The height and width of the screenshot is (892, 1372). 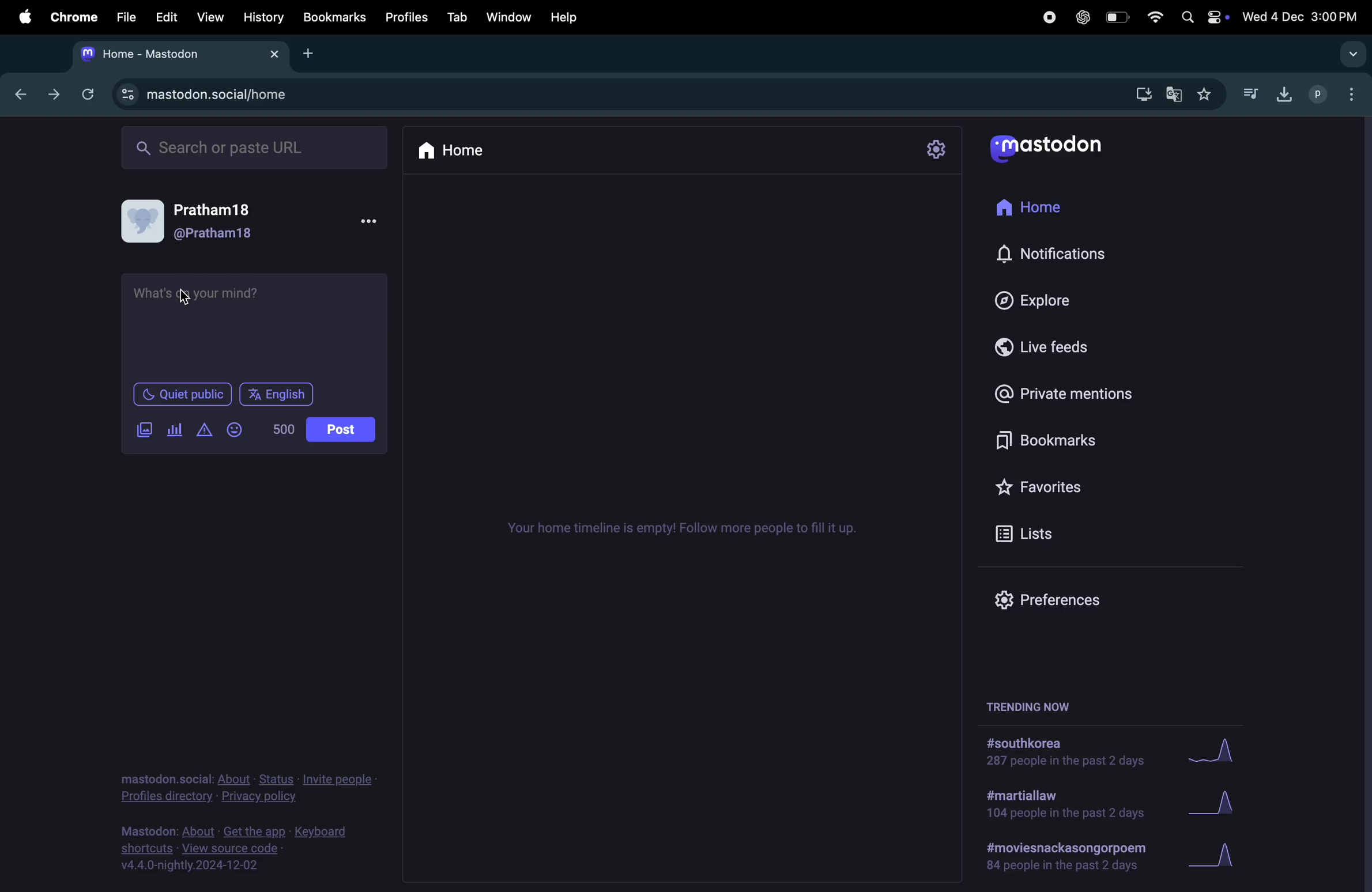 I want to click on images, so click(x=144, y=430).